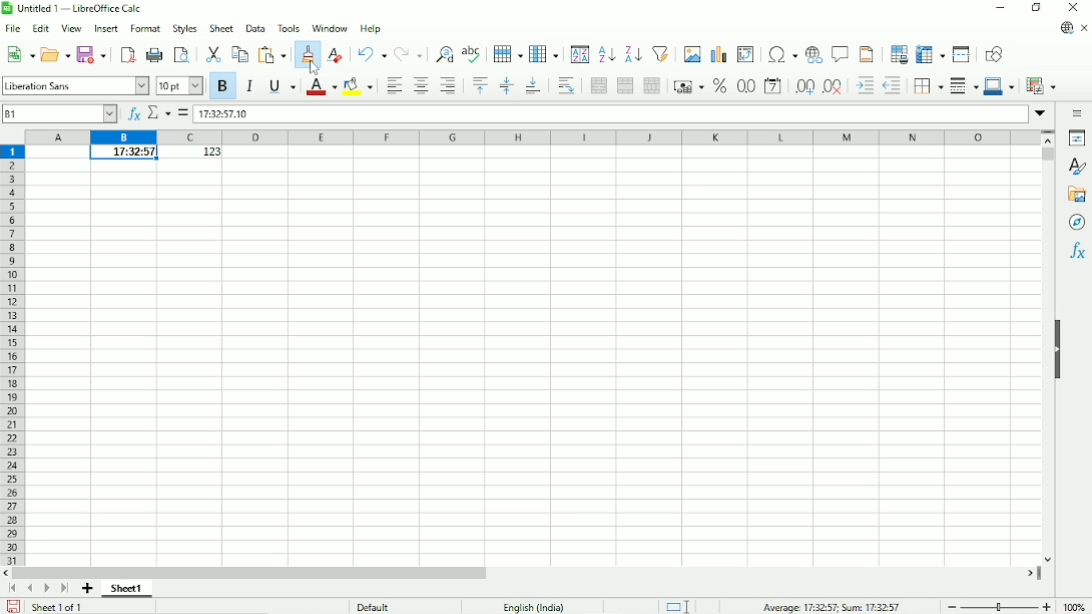 The height and width of the screenshot is (614, 1092). I want to click on Insert image, so click(693, 54).